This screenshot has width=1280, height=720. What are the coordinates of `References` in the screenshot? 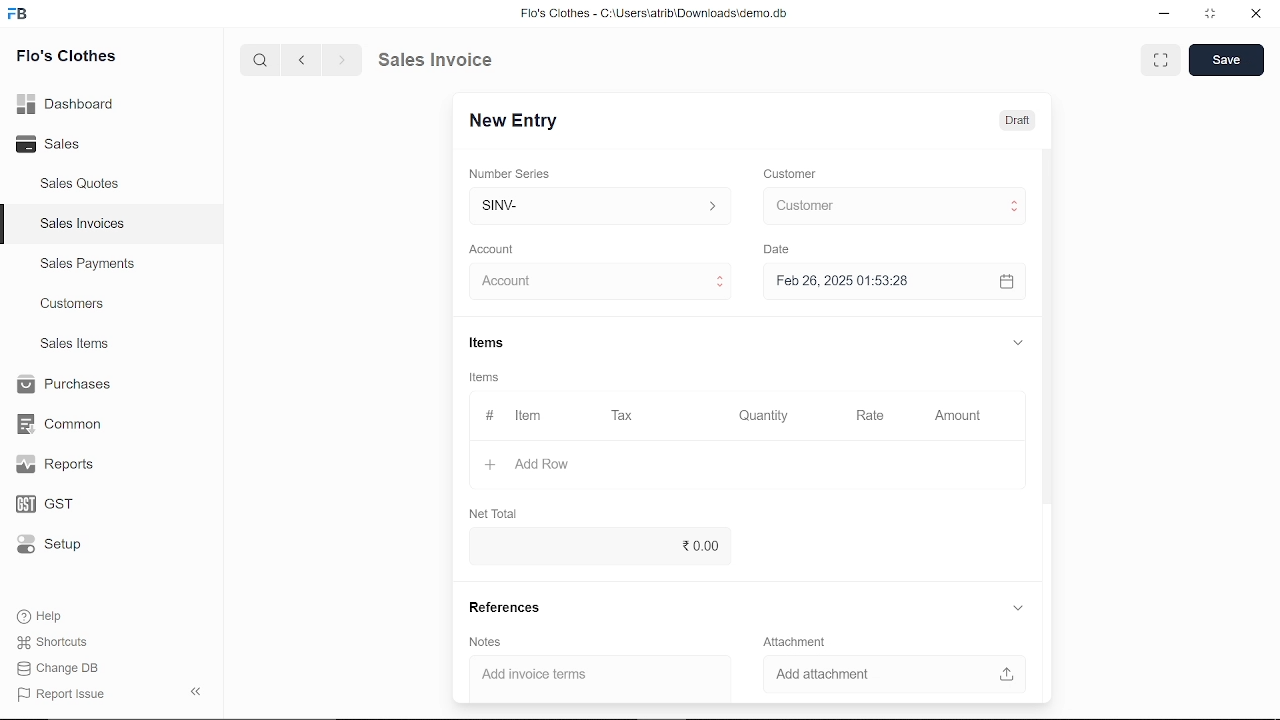 It's located at (501, 607).